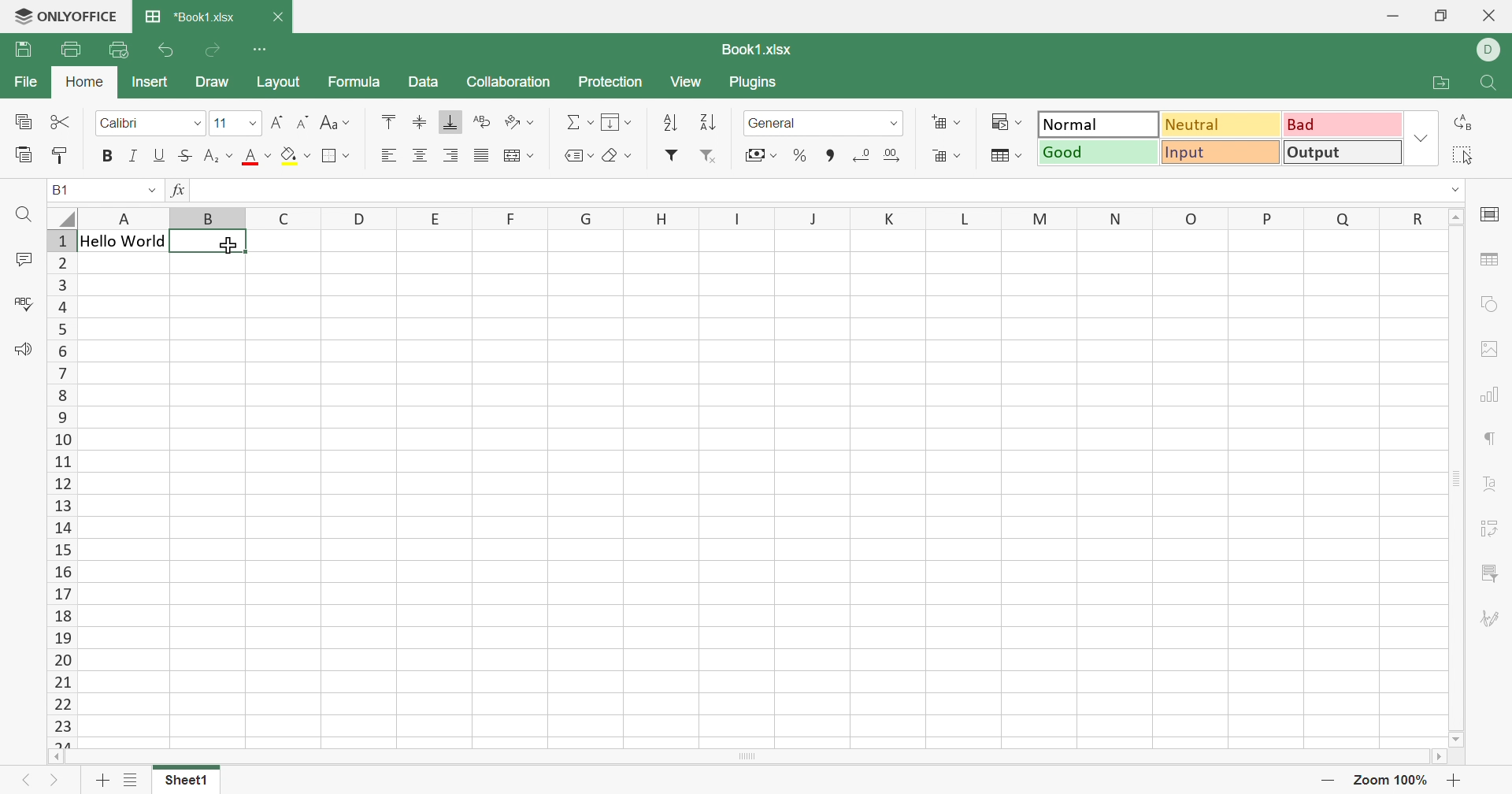 This screenshot has height=794, width=1512. I want to click on Align middle, so click(420, 121).